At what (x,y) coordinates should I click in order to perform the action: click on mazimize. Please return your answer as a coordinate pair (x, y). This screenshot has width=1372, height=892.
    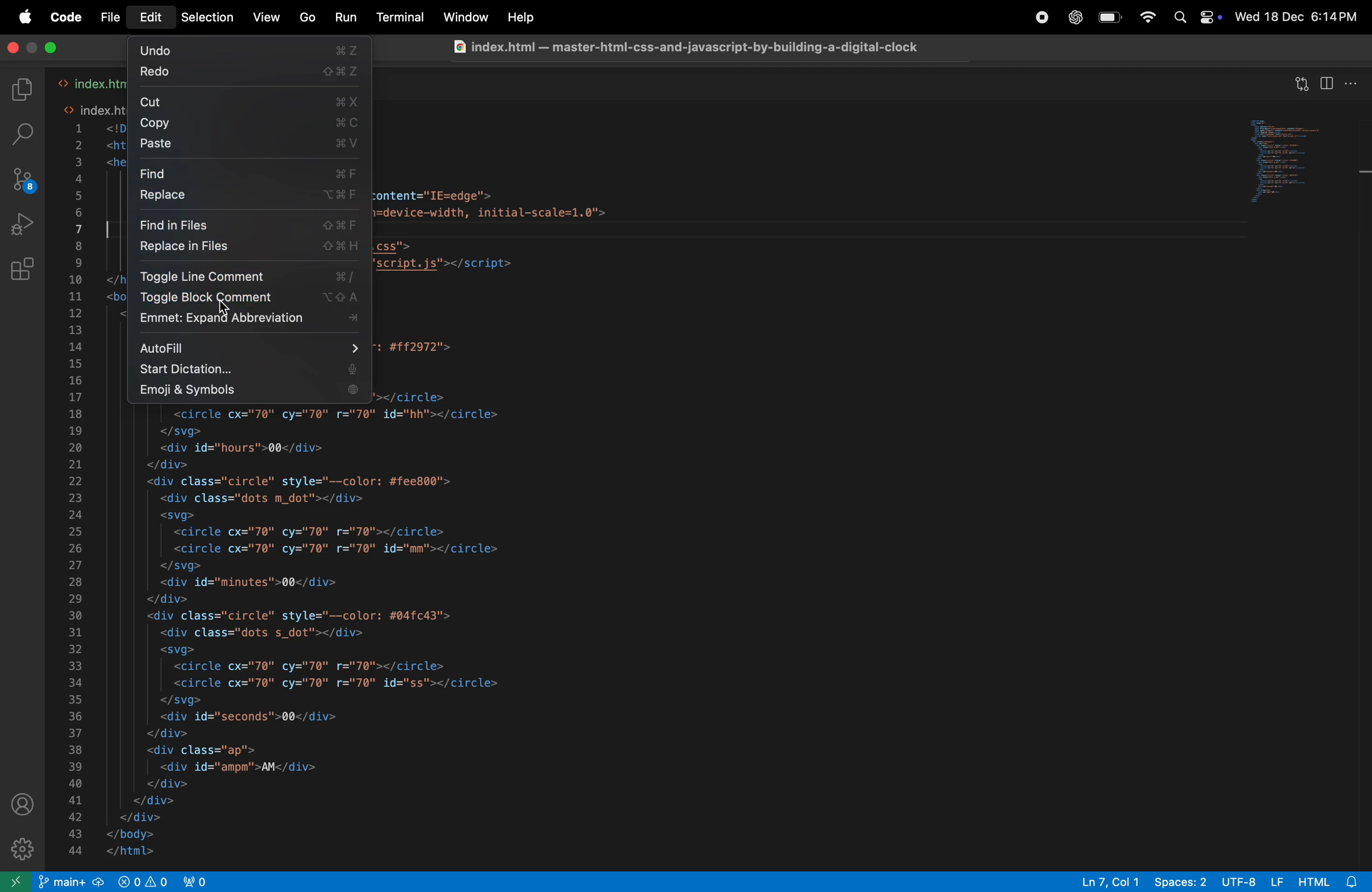
    Looking at the image, I should click on (49, 49).